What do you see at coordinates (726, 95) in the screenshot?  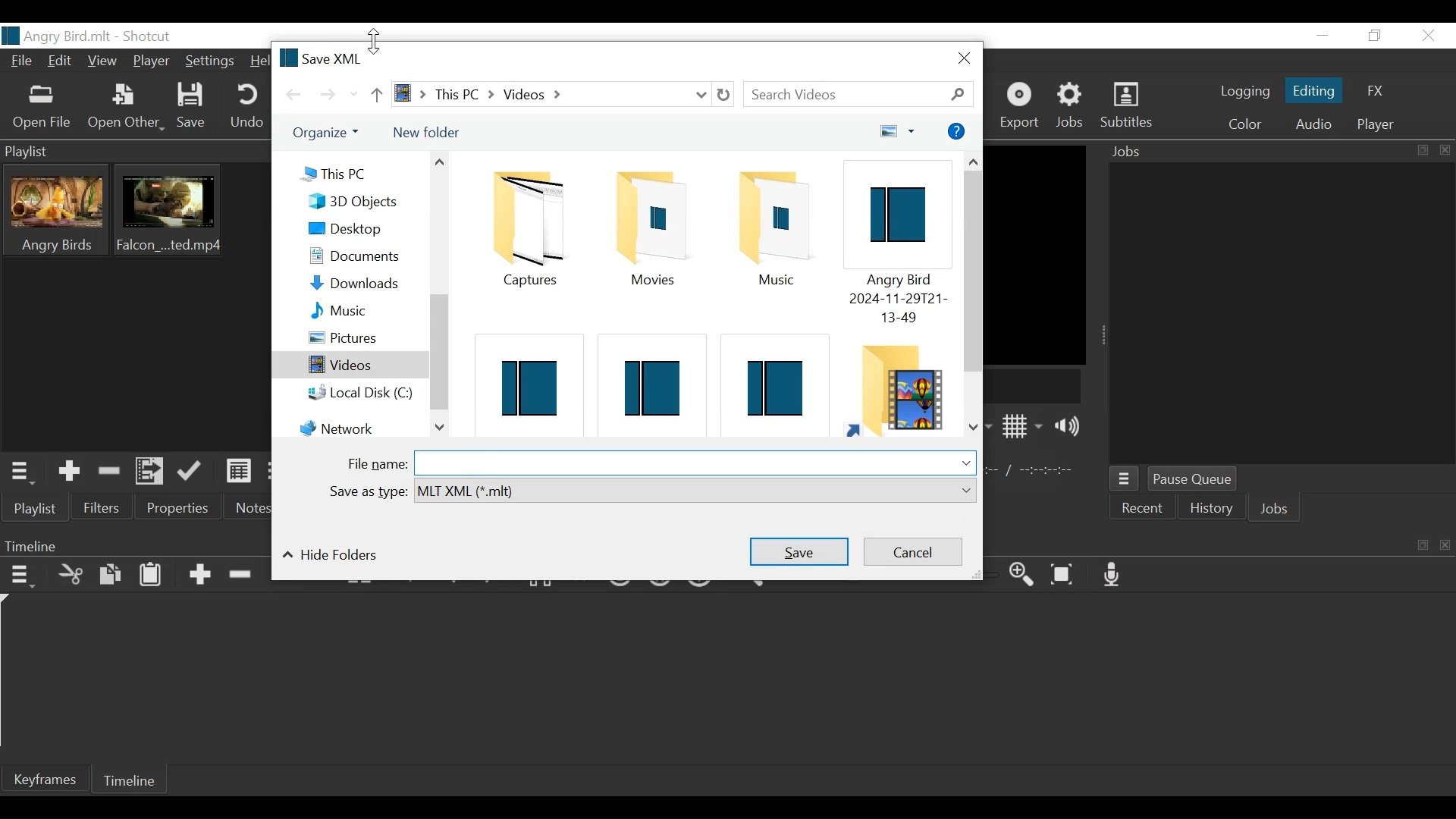 I see `Refresh` at bounding box center [726, 95].